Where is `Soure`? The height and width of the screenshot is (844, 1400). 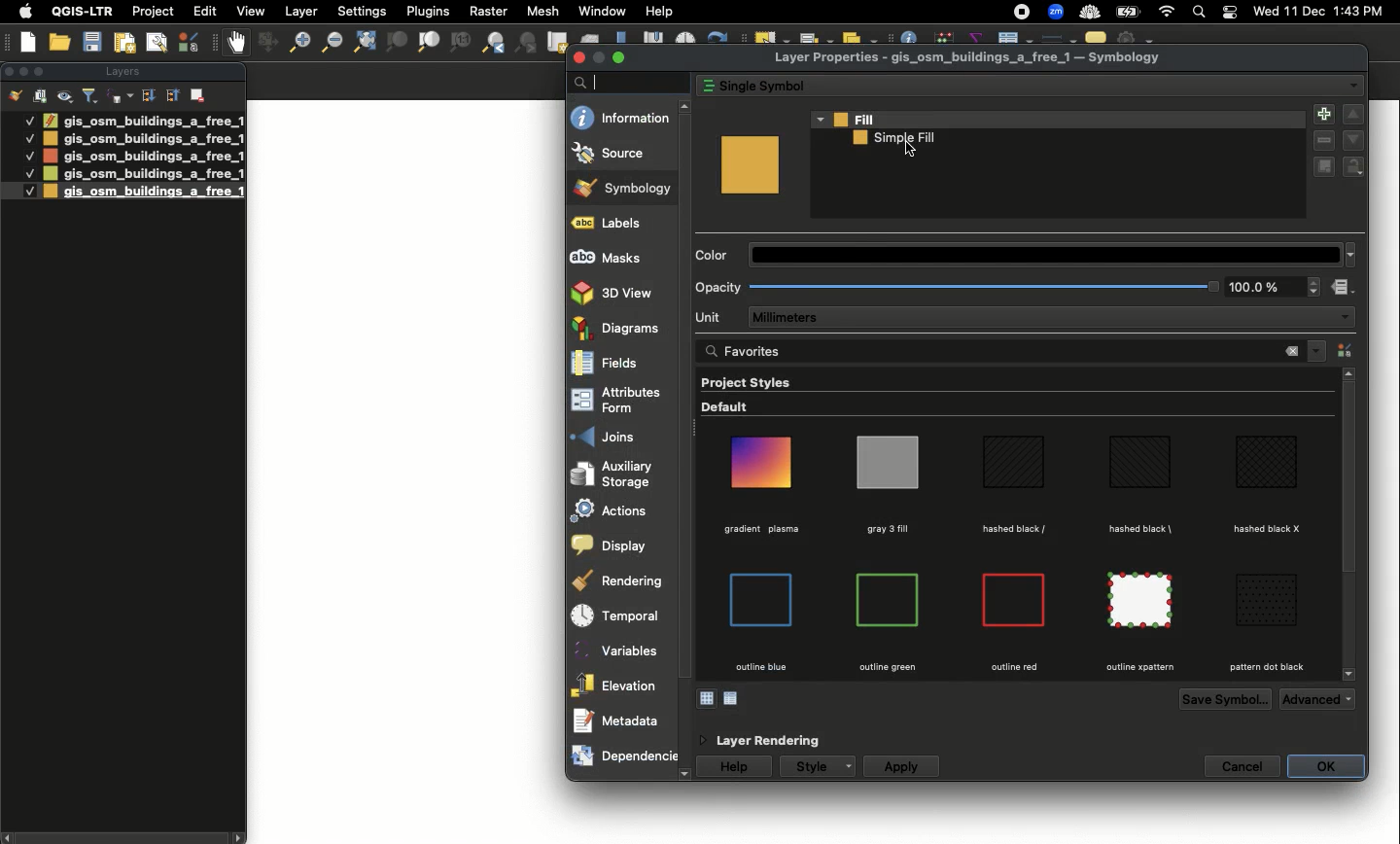
Soure is located at coordinates (621, 154).